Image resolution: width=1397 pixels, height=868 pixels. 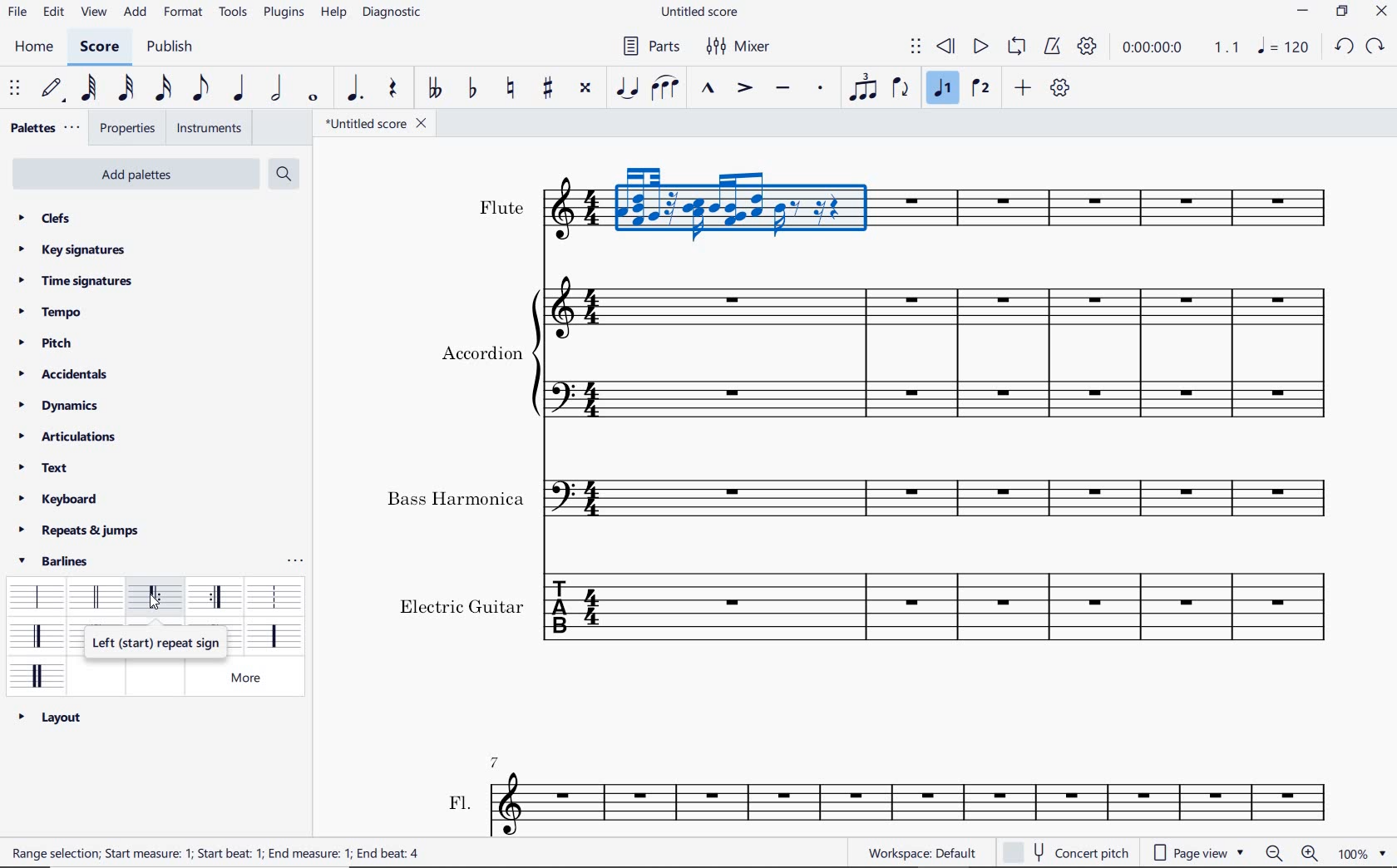 I want to click on concert pitch, so click(x=1069, y=851).